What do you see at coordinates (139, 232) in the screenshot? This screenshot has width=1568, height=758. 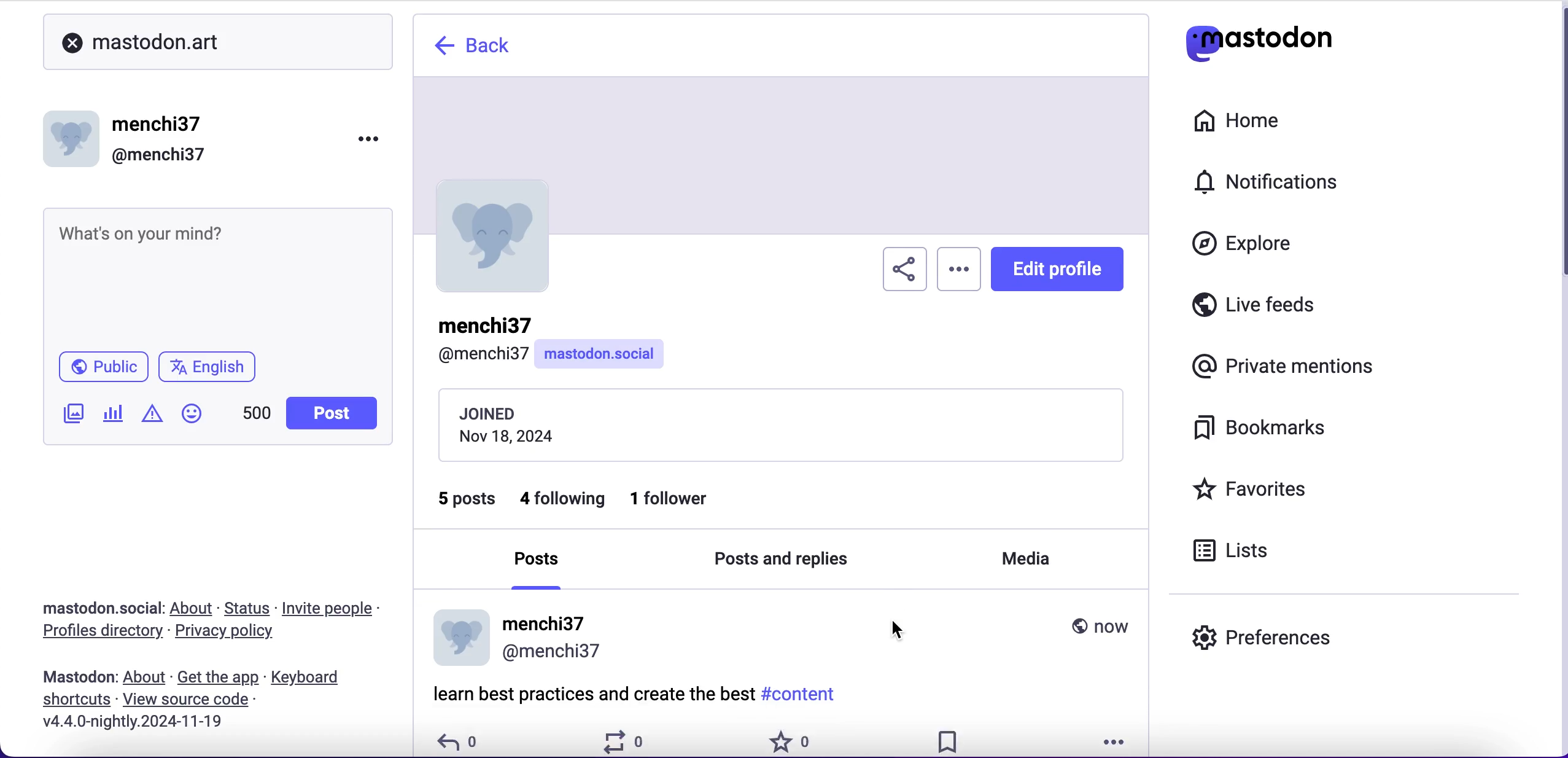 I see `text post` at bounding box center [139, 232].